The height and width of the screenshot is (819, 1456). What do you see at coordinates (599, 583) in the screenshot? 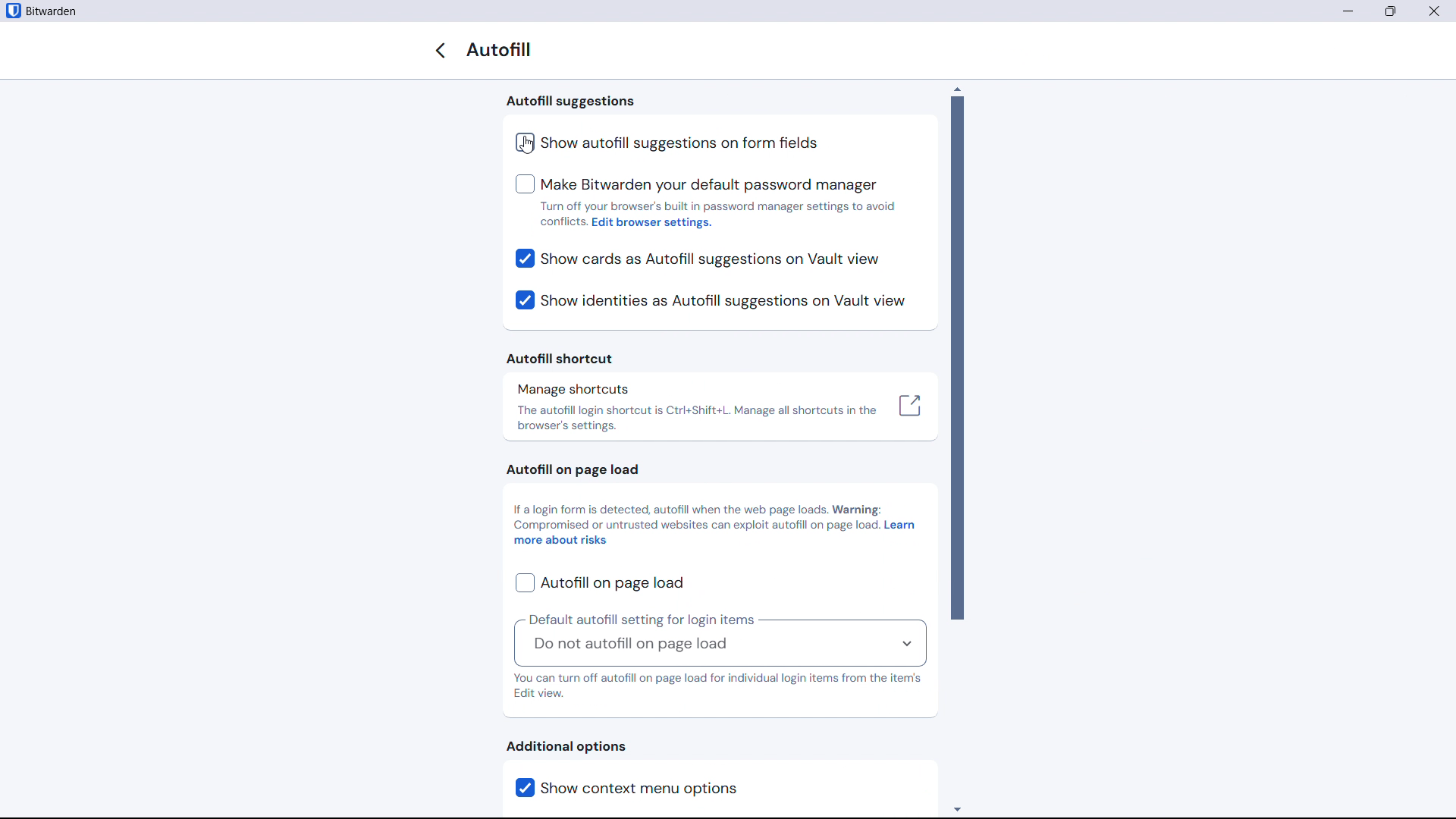
I see `Auto fill on page load ` at bounding box center [599, 583].